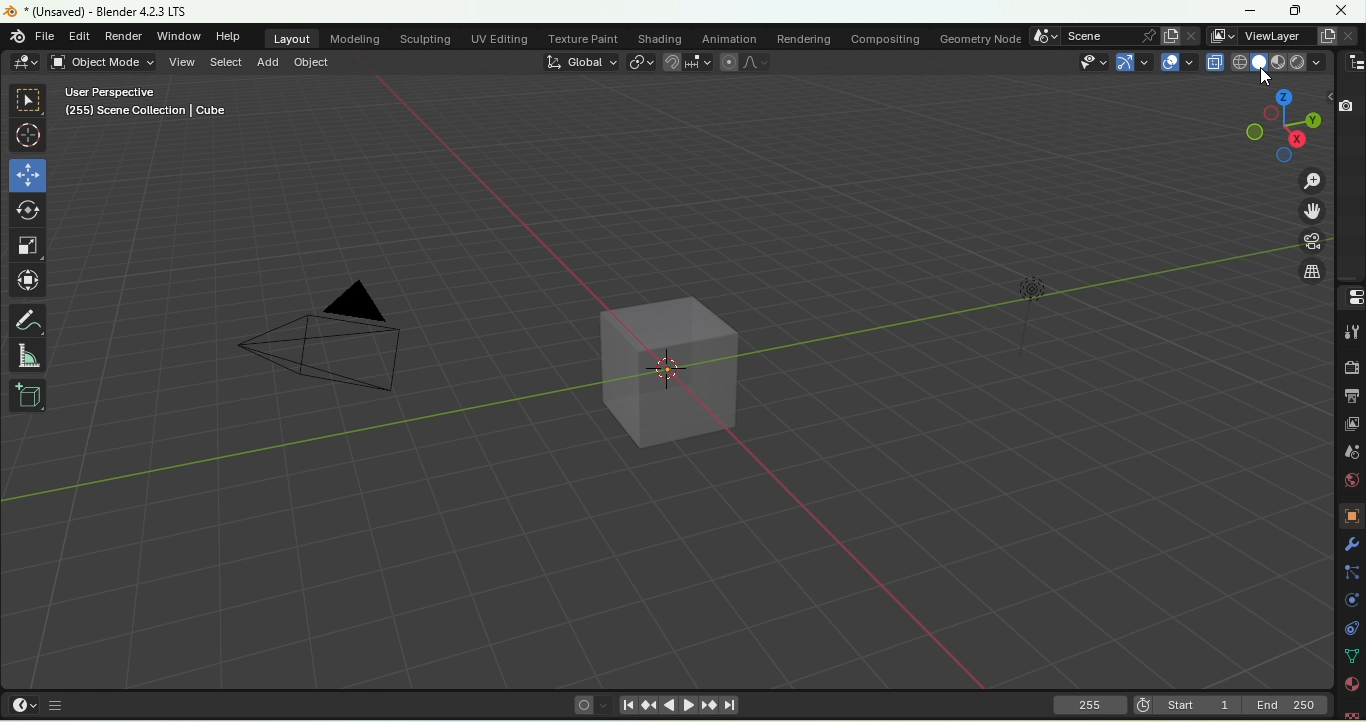 The width and height of the screenshot is (1366, 722). Describe the element at coordinates (267, 62) in the screenshot. I see `Add` at that location.